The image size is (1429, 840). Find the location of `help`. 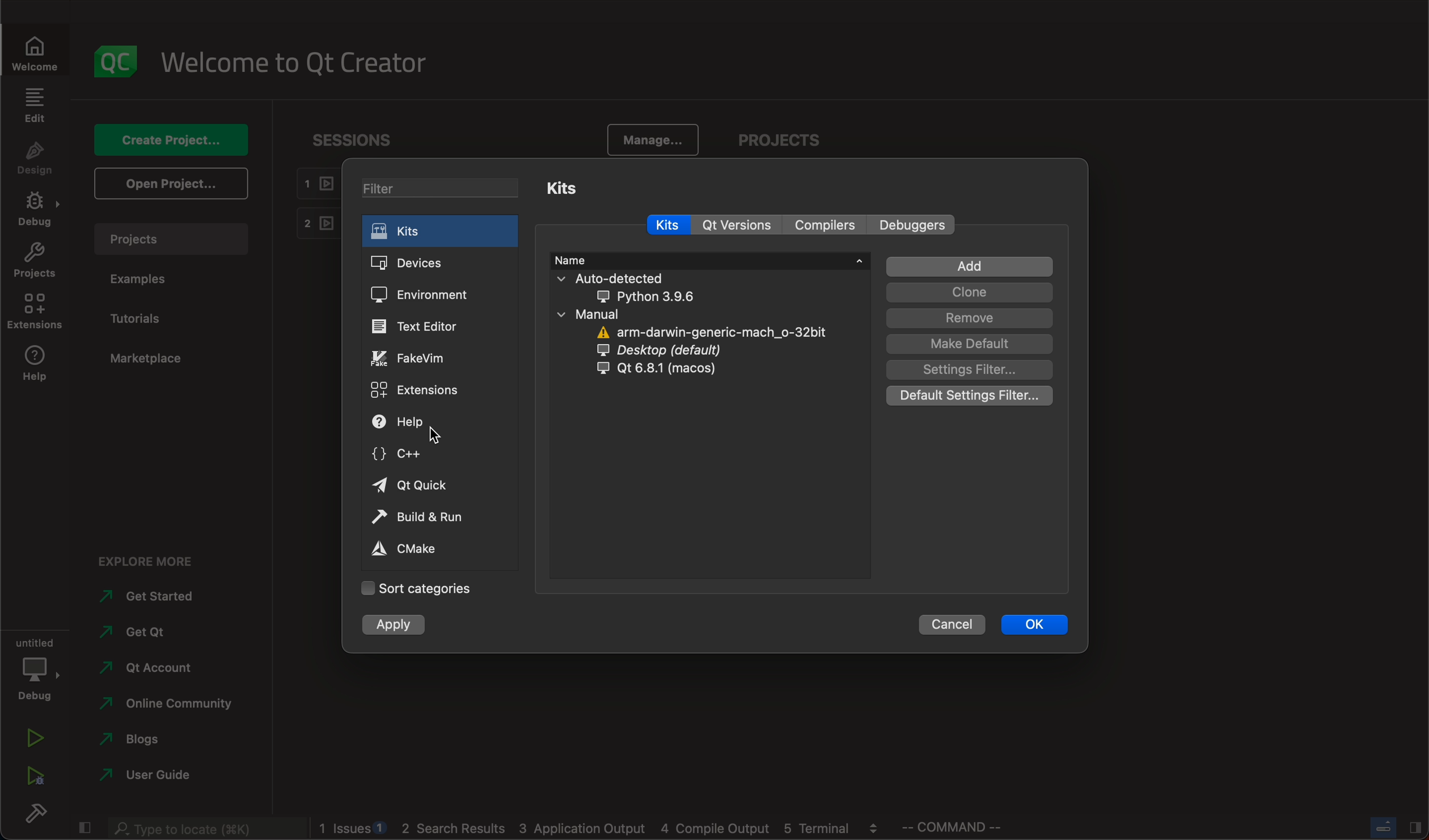

help is located at coordinates (39, 363).